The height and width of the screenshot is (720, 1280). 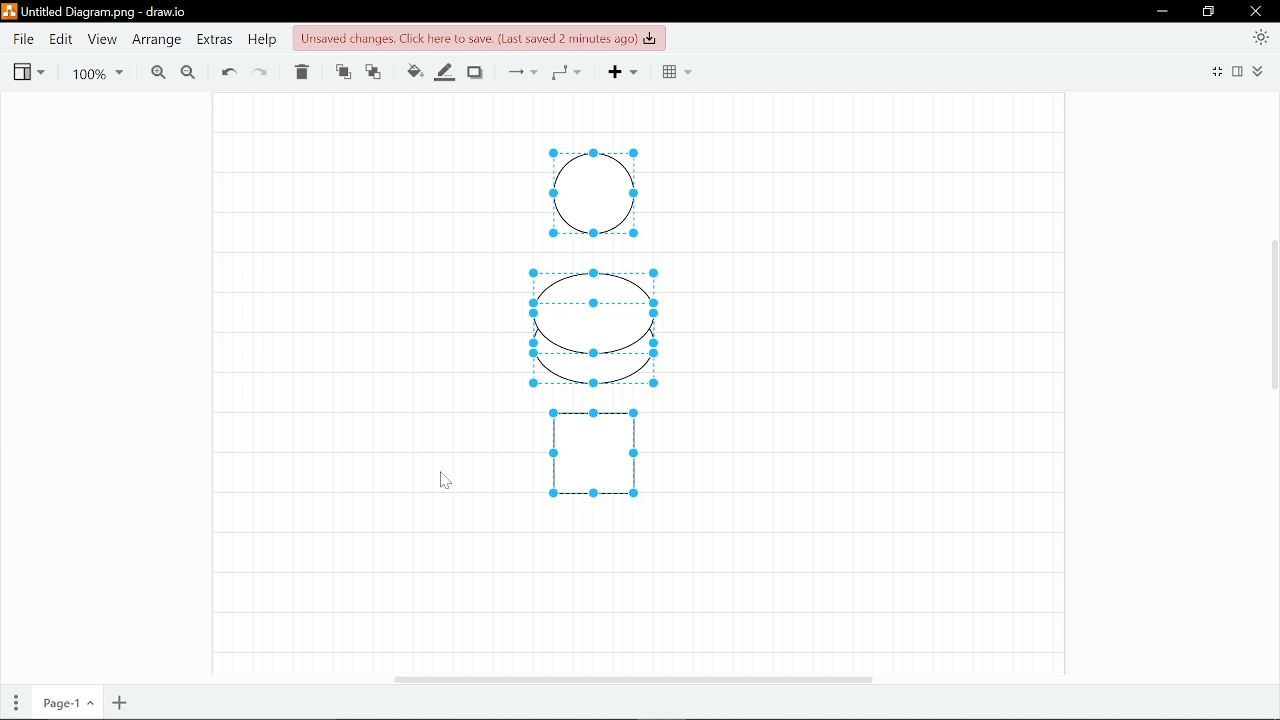 I want to click on Current page, so click(x=66, y=703).